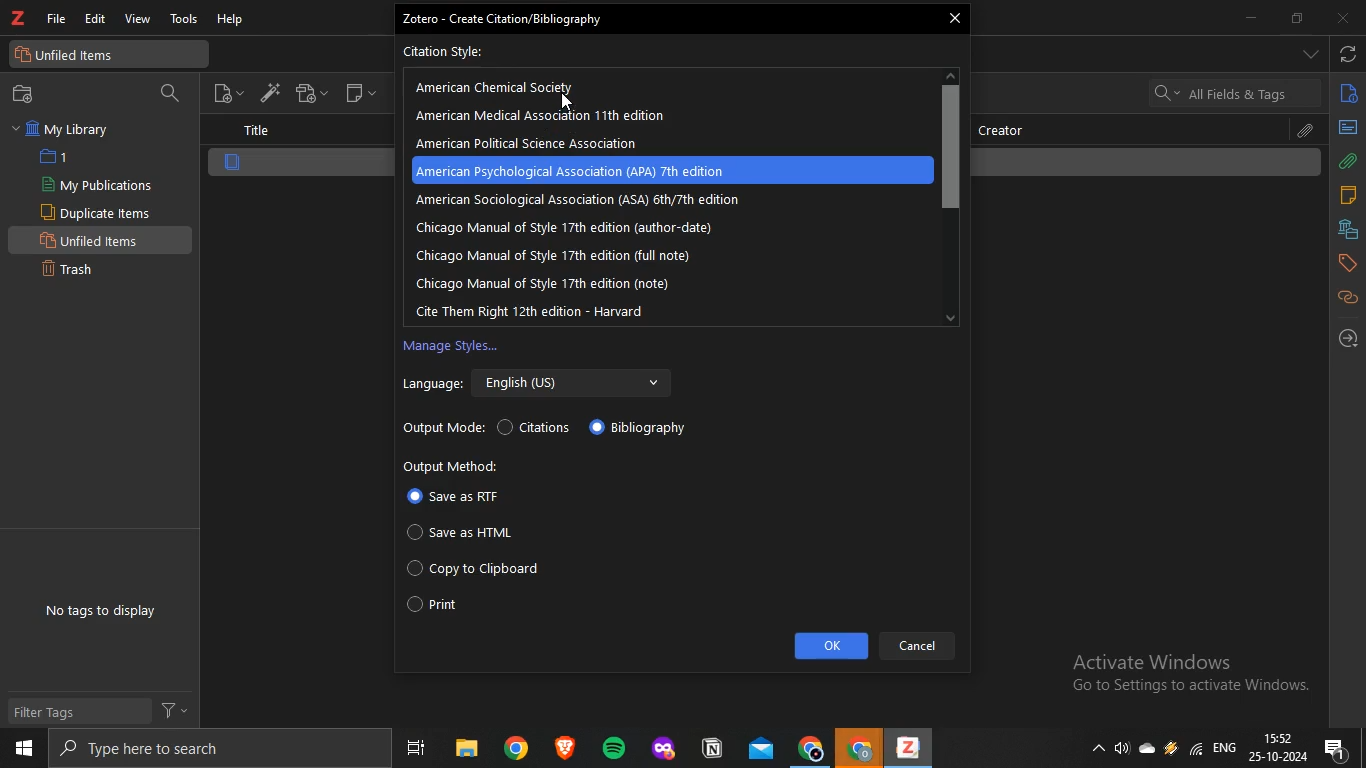 This screenshot has width=1366, height=768. I want to click on new item, so click(228, 91).